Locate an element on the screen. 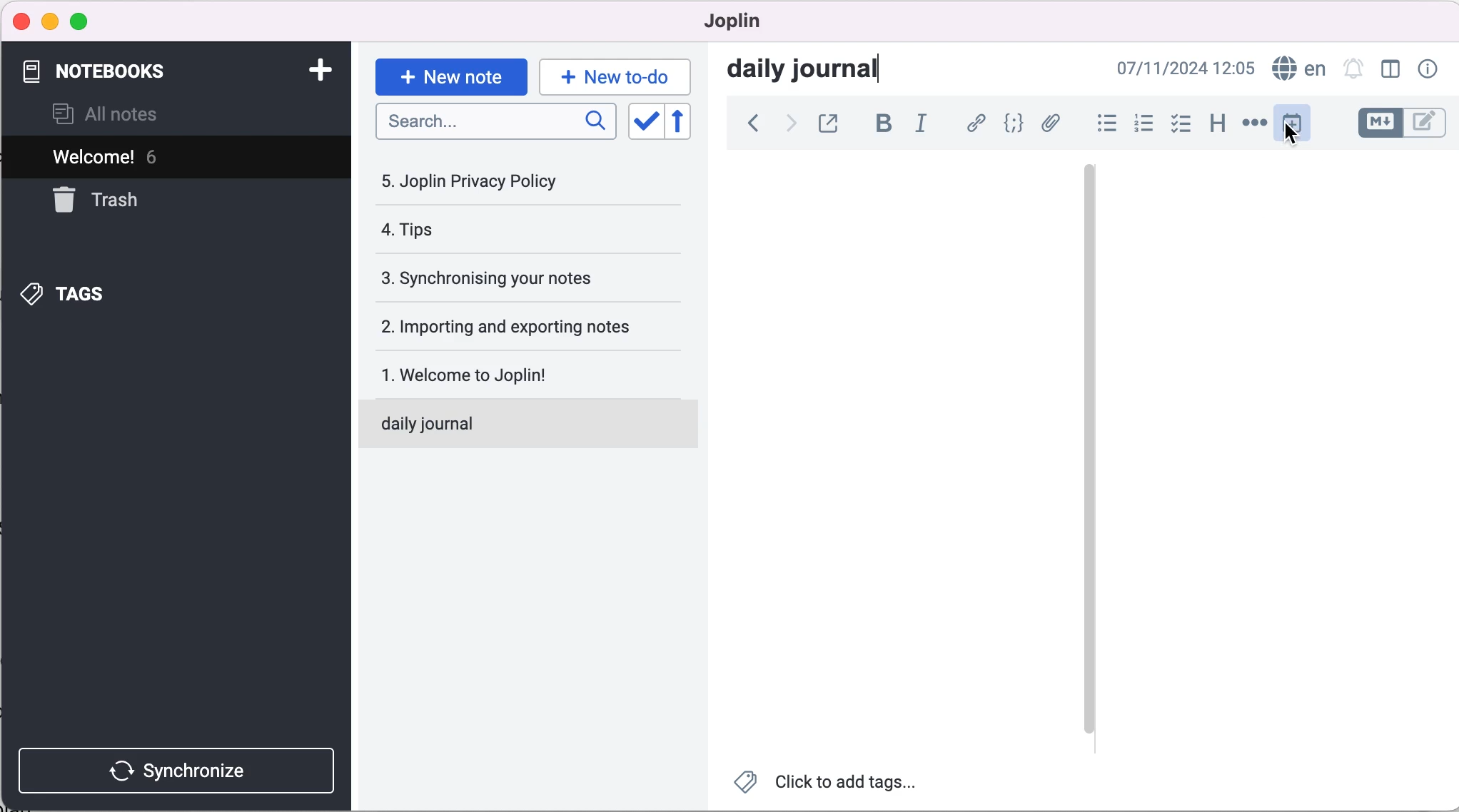  tags is located at coordinates (91, 290).